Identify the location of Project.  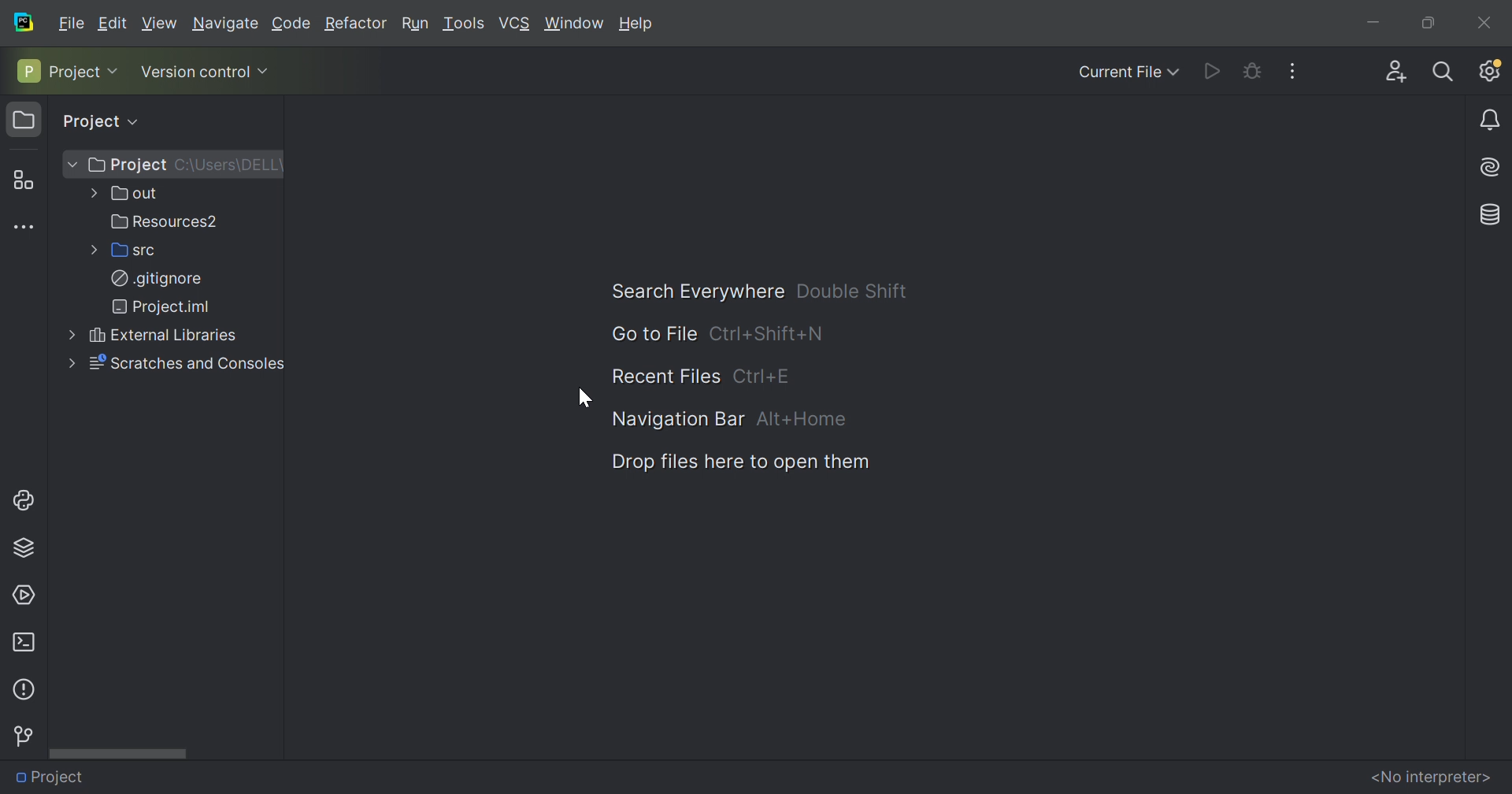
(24, 121).